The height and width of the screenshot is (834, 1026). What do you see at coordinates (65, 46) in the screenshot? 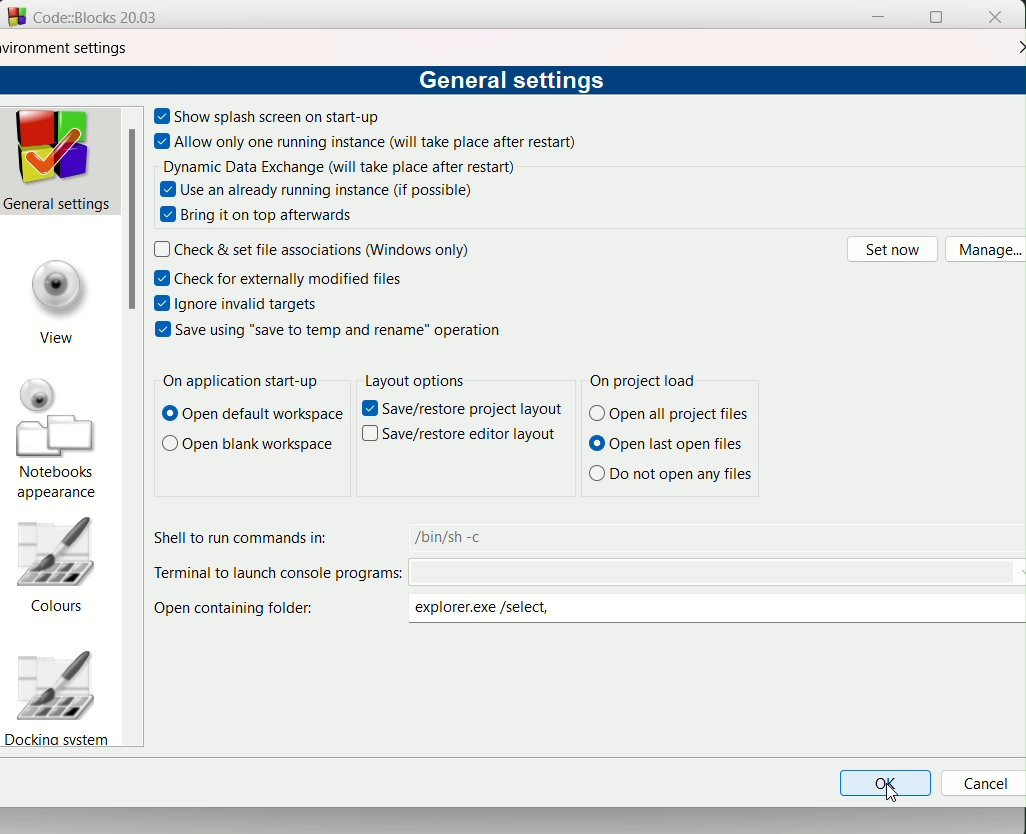
I see `environment settings` at bounding box center [65, 46].